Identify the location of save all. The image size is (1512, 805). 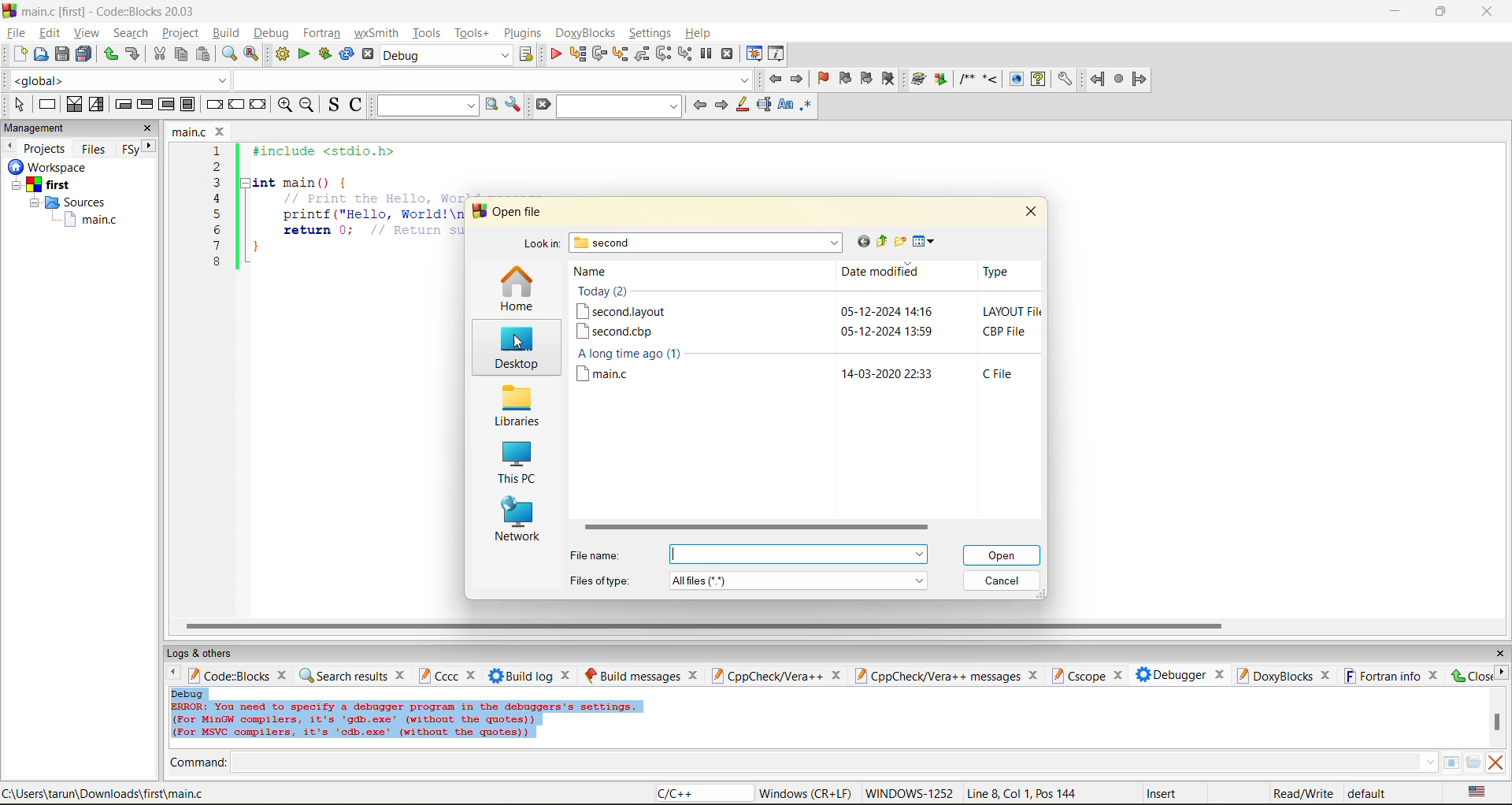
(84, 54).